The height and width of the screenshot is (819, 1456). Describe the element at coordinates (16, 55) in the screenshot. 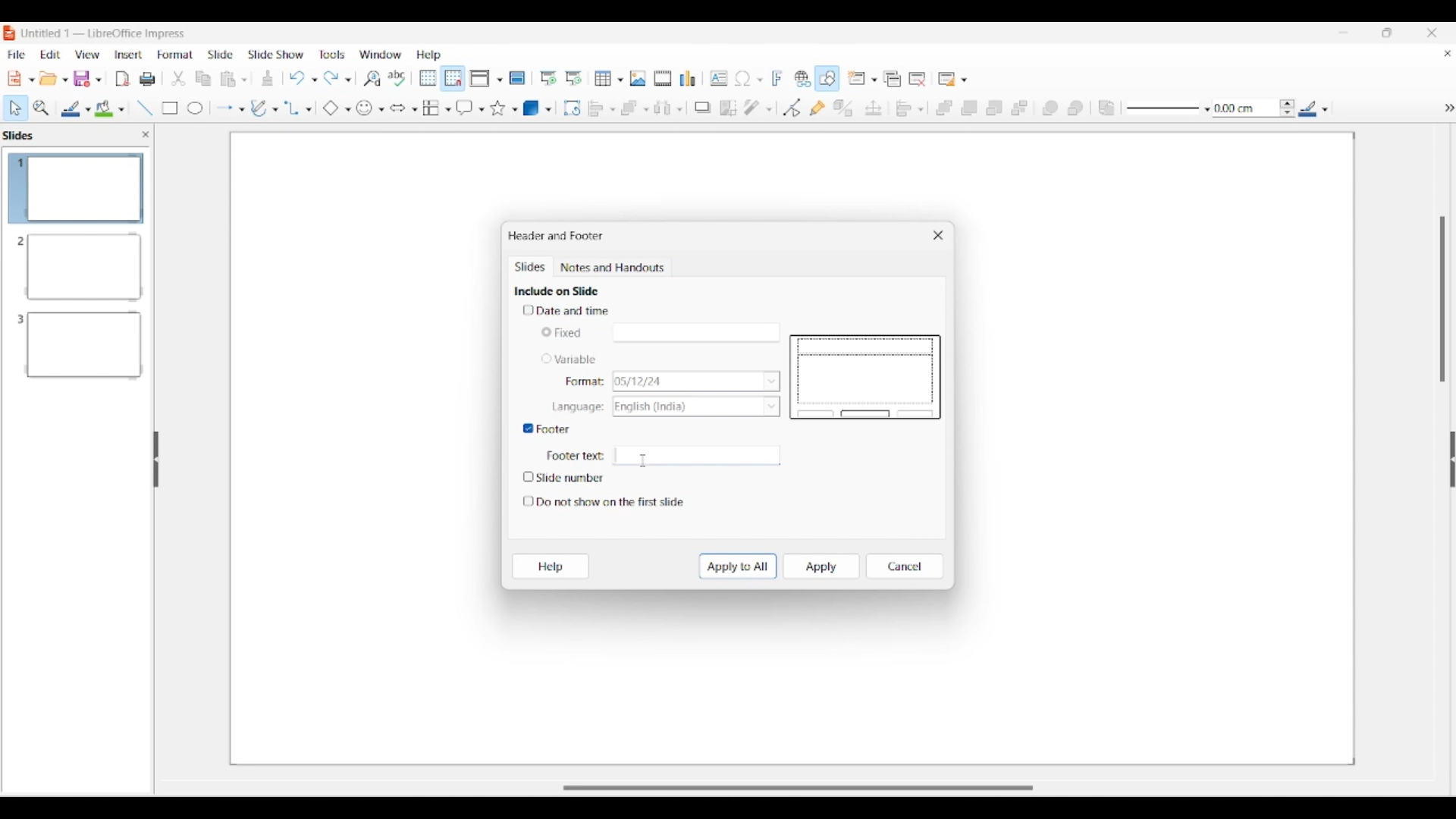

I see `File menu` at that location.